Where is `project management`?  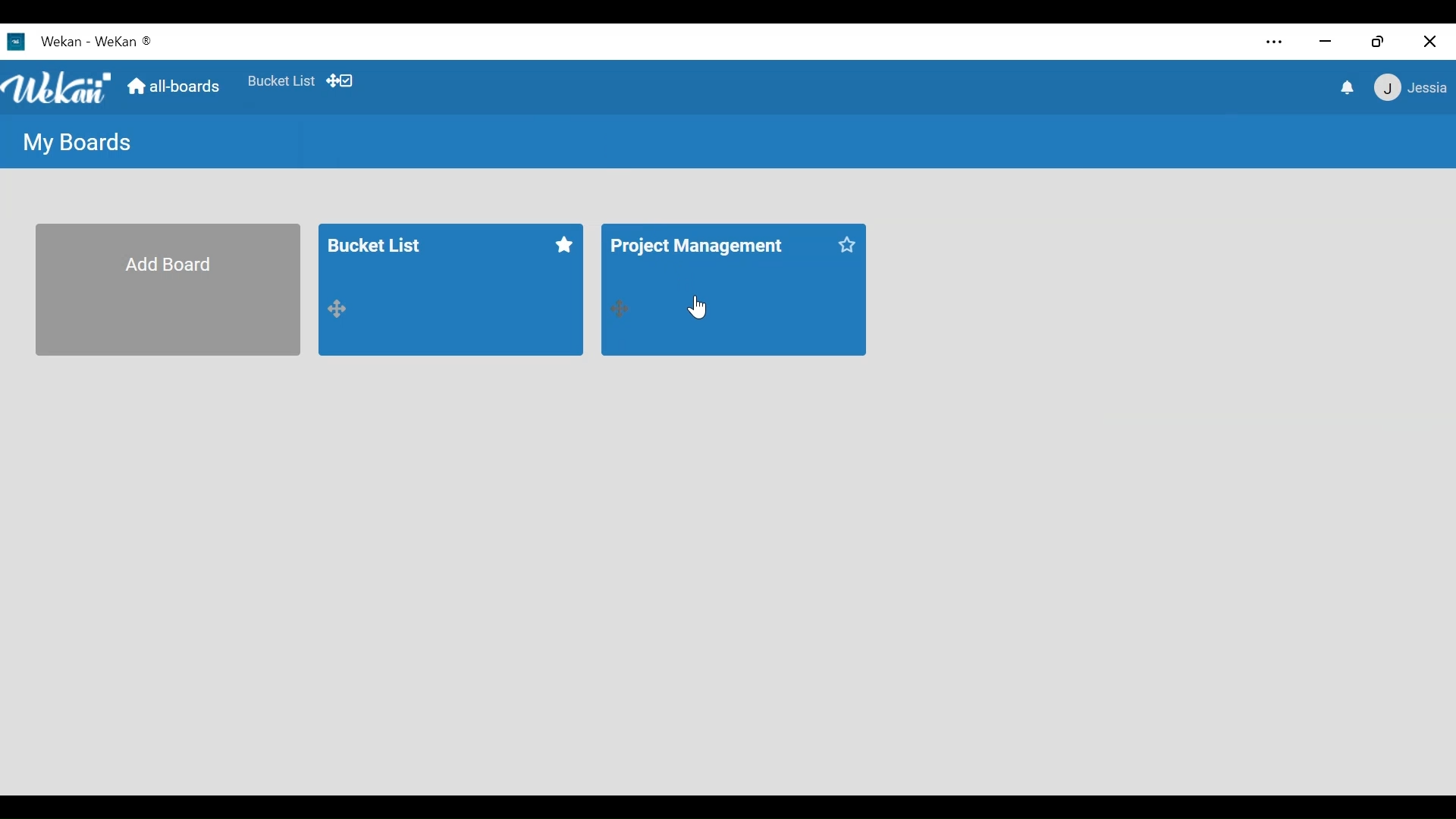
project management is located at coordinates (703, 245).